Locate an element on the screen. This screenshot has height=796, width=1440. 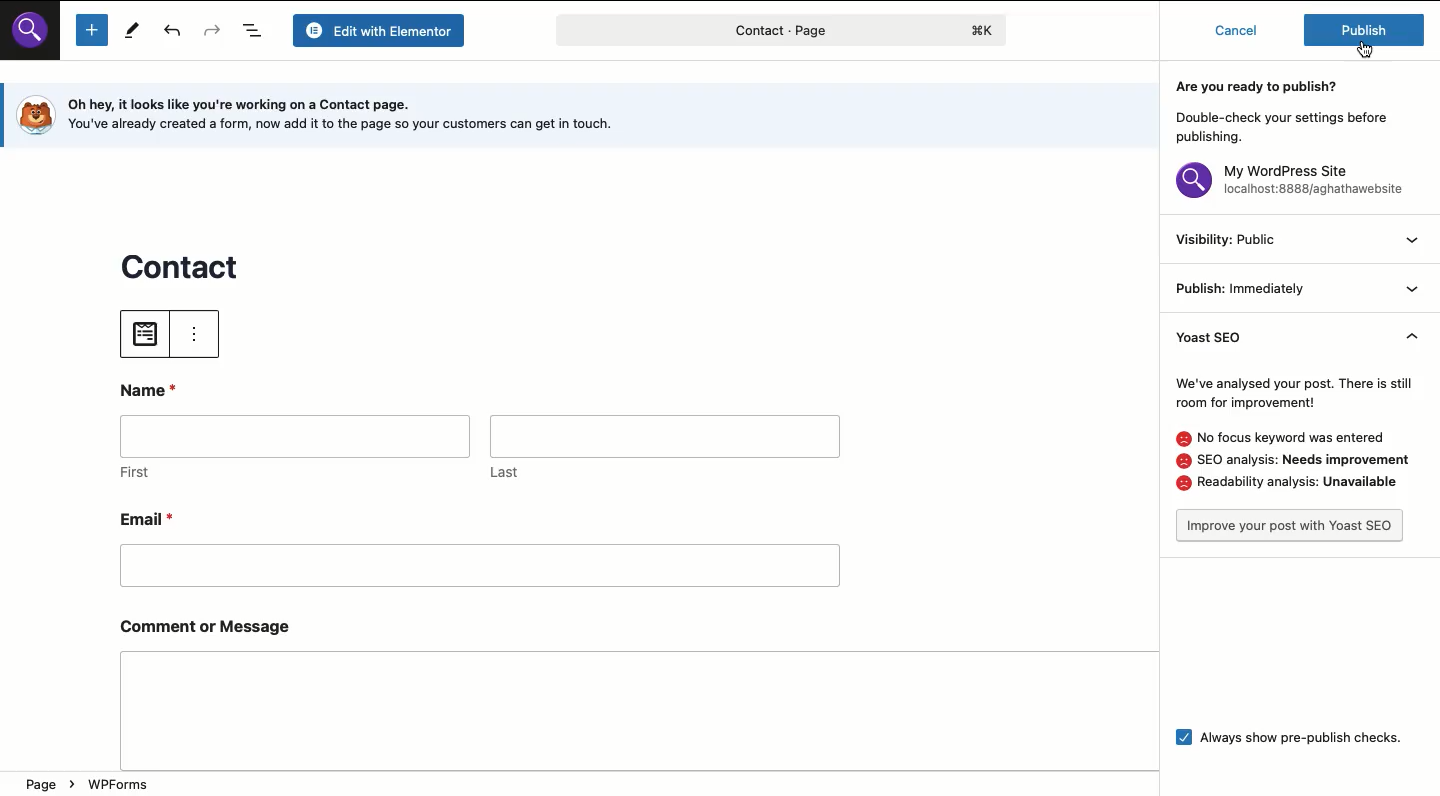
view menu is located at coordinates (207, 340).